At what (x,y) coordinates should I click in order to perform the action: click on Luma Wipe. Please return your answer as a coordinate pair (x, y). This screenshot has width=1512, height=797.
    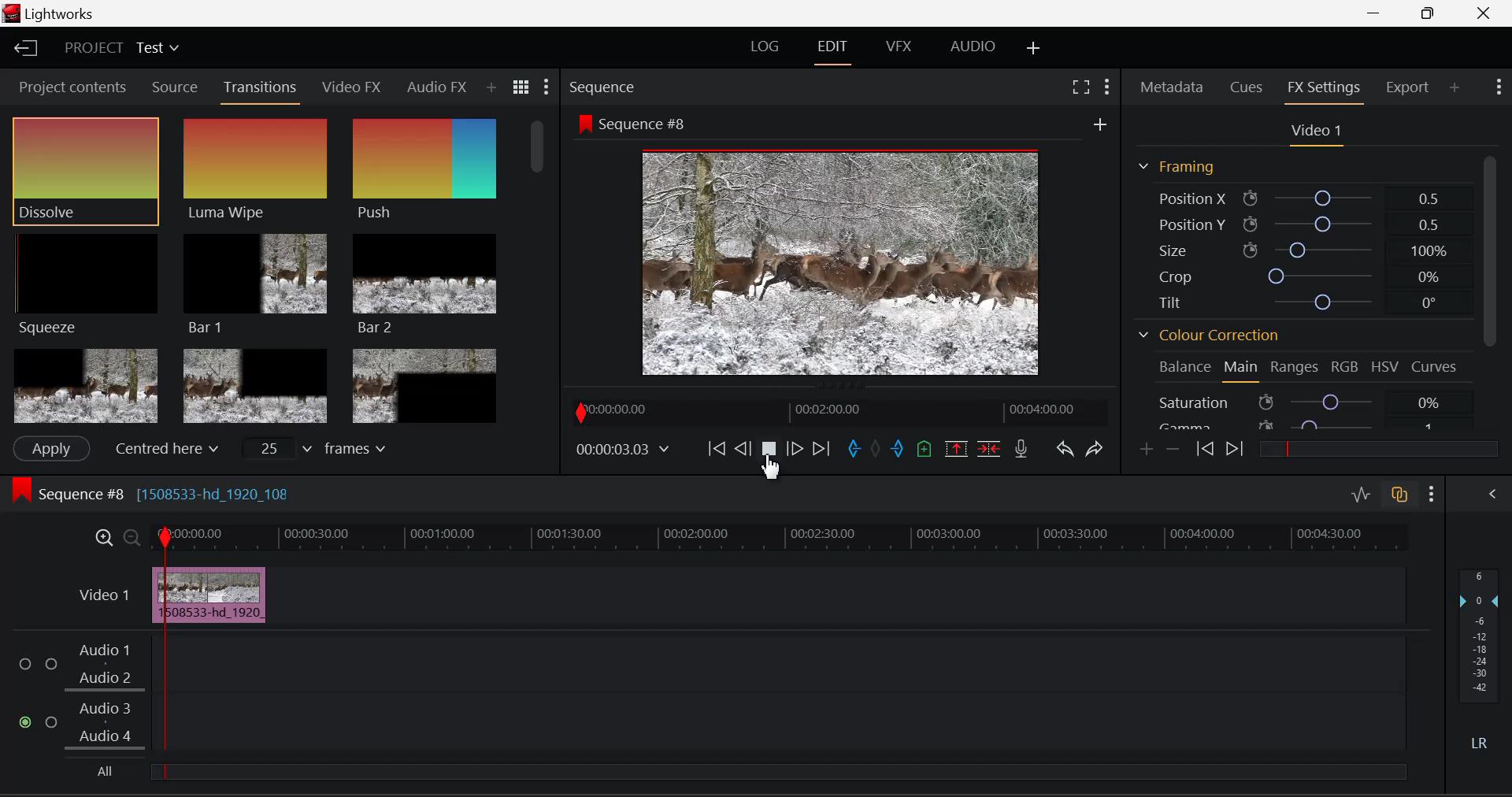
    Looking at the image, I should click on (256, 170).